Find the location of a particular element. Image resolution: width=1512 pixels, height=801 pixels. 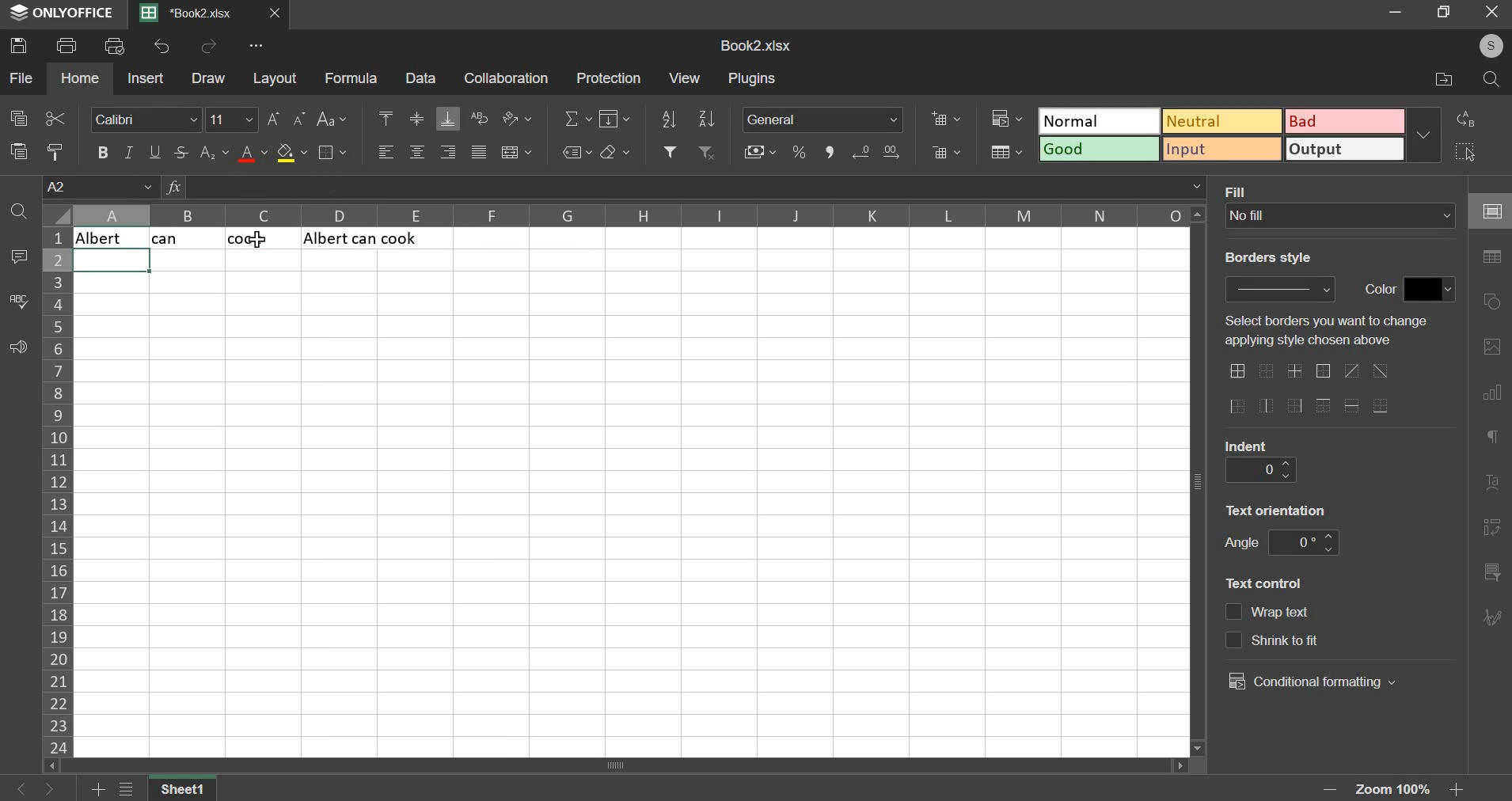

vertical scroll bar is located at coordinates (1201, 480).